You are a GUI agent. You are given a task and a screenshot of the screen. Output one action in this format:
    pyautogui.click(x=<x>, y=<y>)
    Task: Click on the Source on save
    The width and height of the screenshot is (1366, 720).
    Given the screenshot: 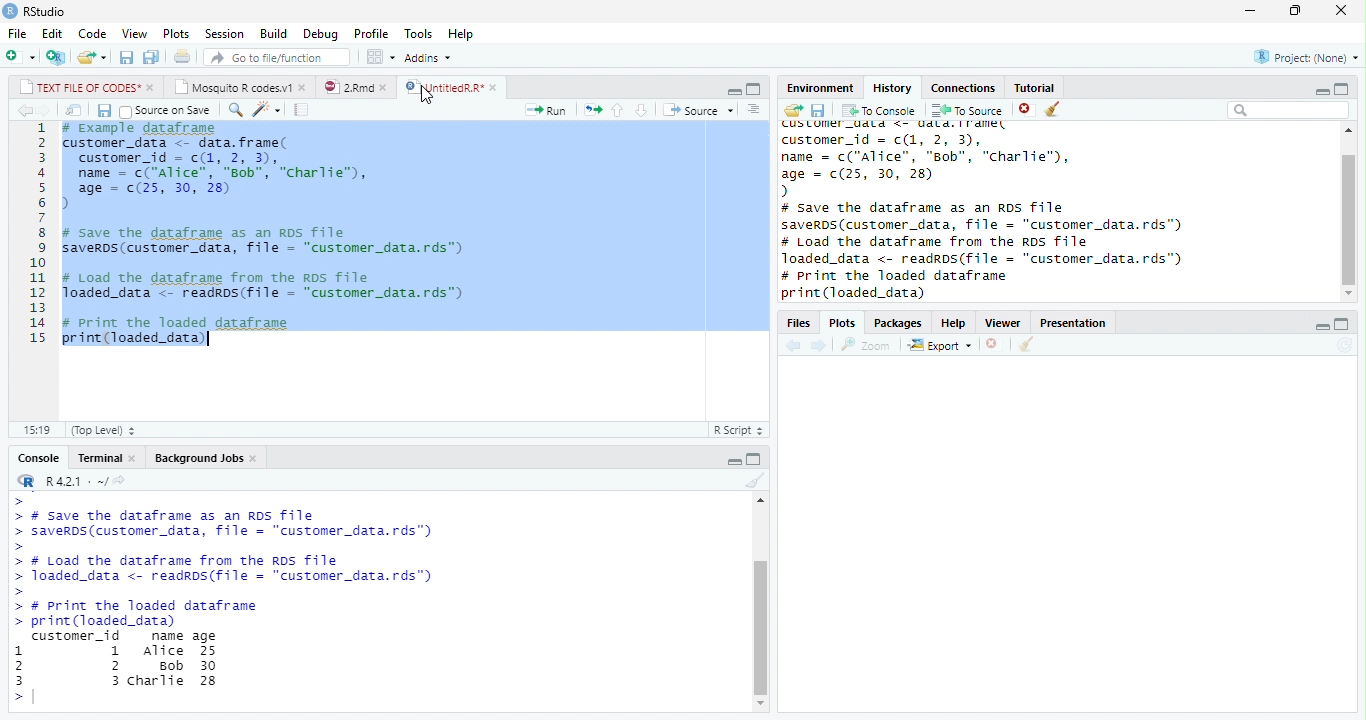 What is the action you would take?
    pyautogui.click(x=167, y=111)
    